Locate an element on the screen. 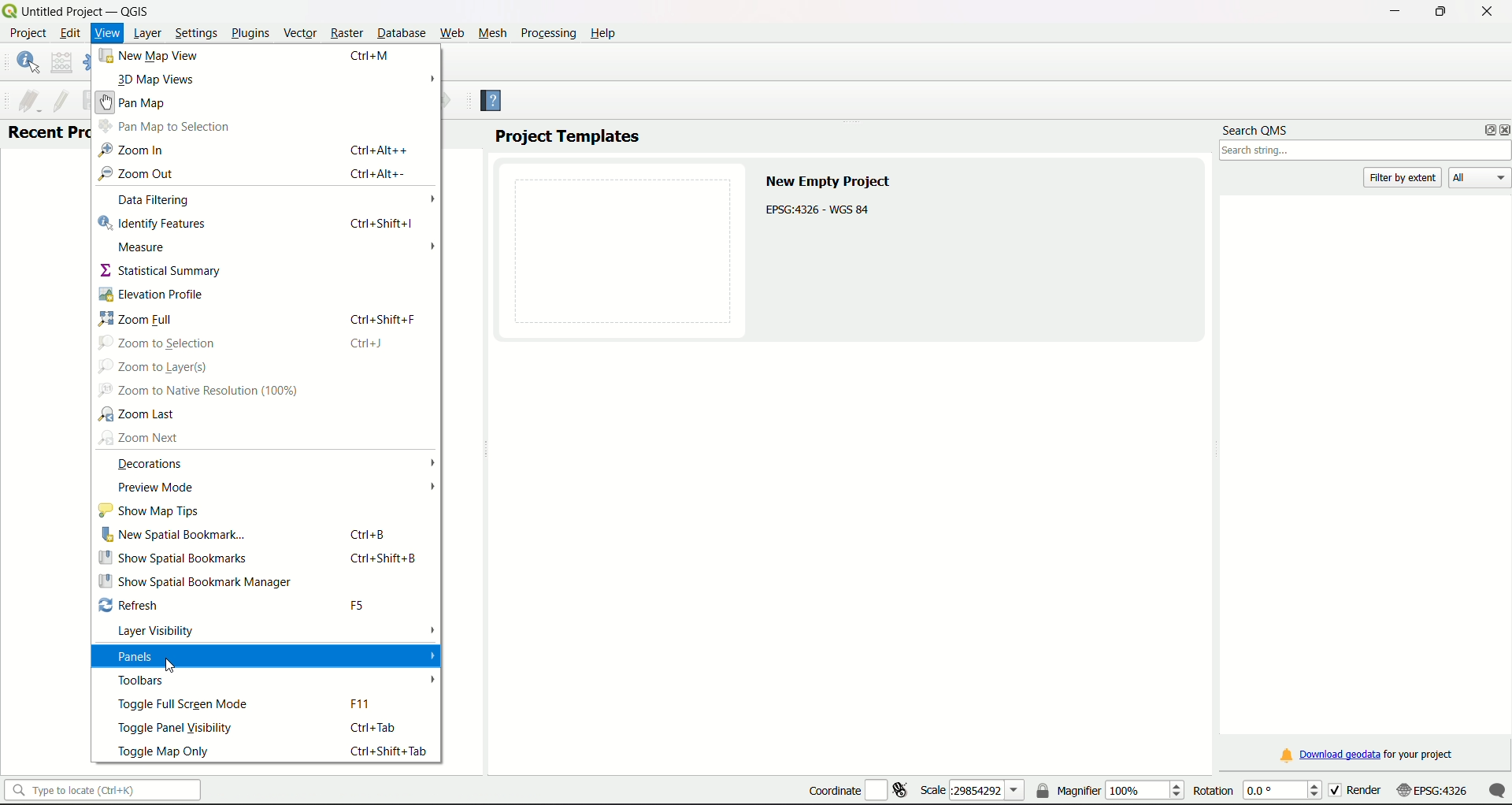  magnifier is located at coordinates (1110, 789).